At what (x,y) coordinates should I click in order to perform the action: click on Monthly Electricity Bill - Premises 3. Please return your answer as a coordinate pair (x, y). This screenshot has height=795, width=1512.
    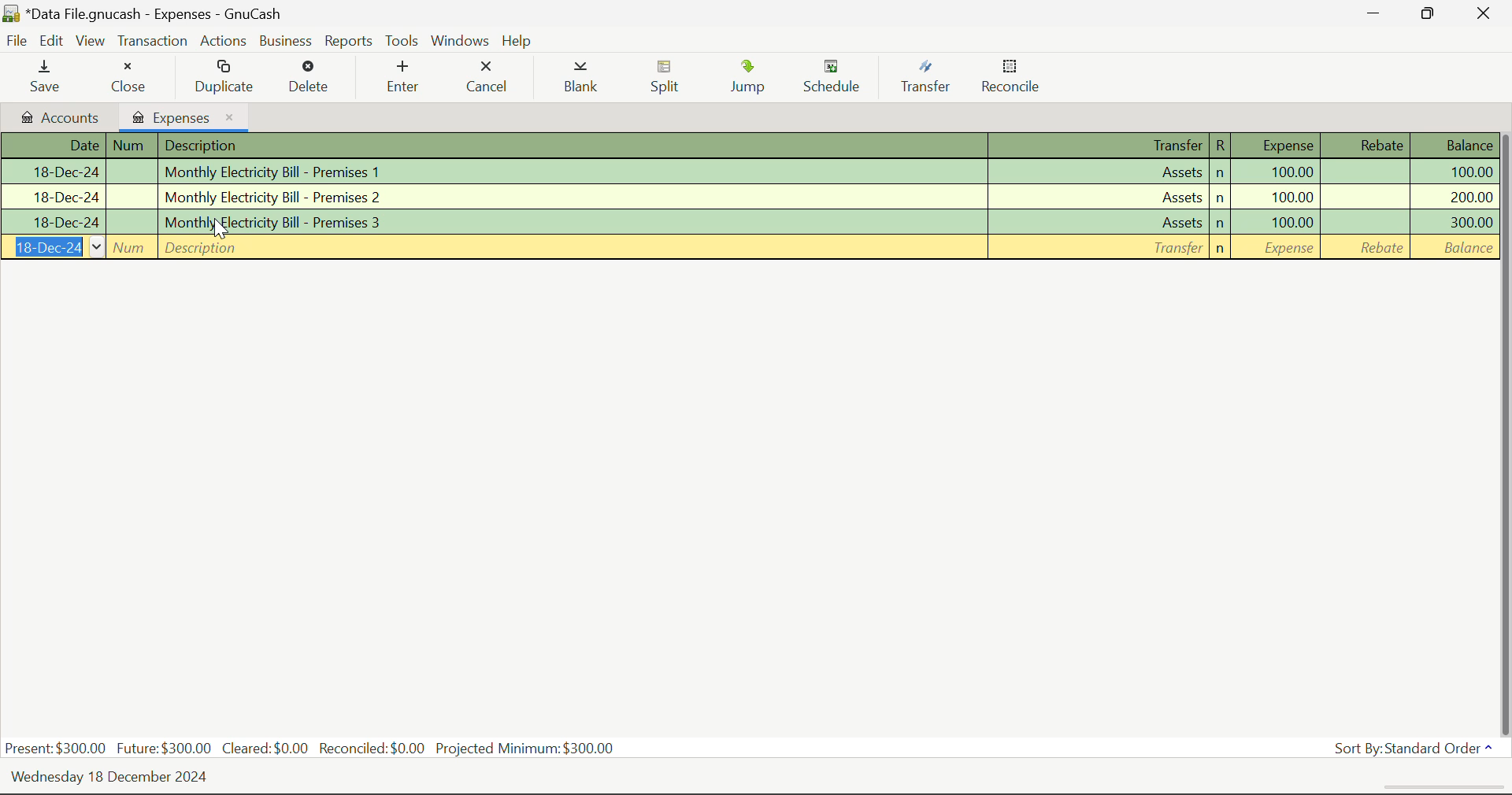
    Looking at the image, I should click on (751, 221).